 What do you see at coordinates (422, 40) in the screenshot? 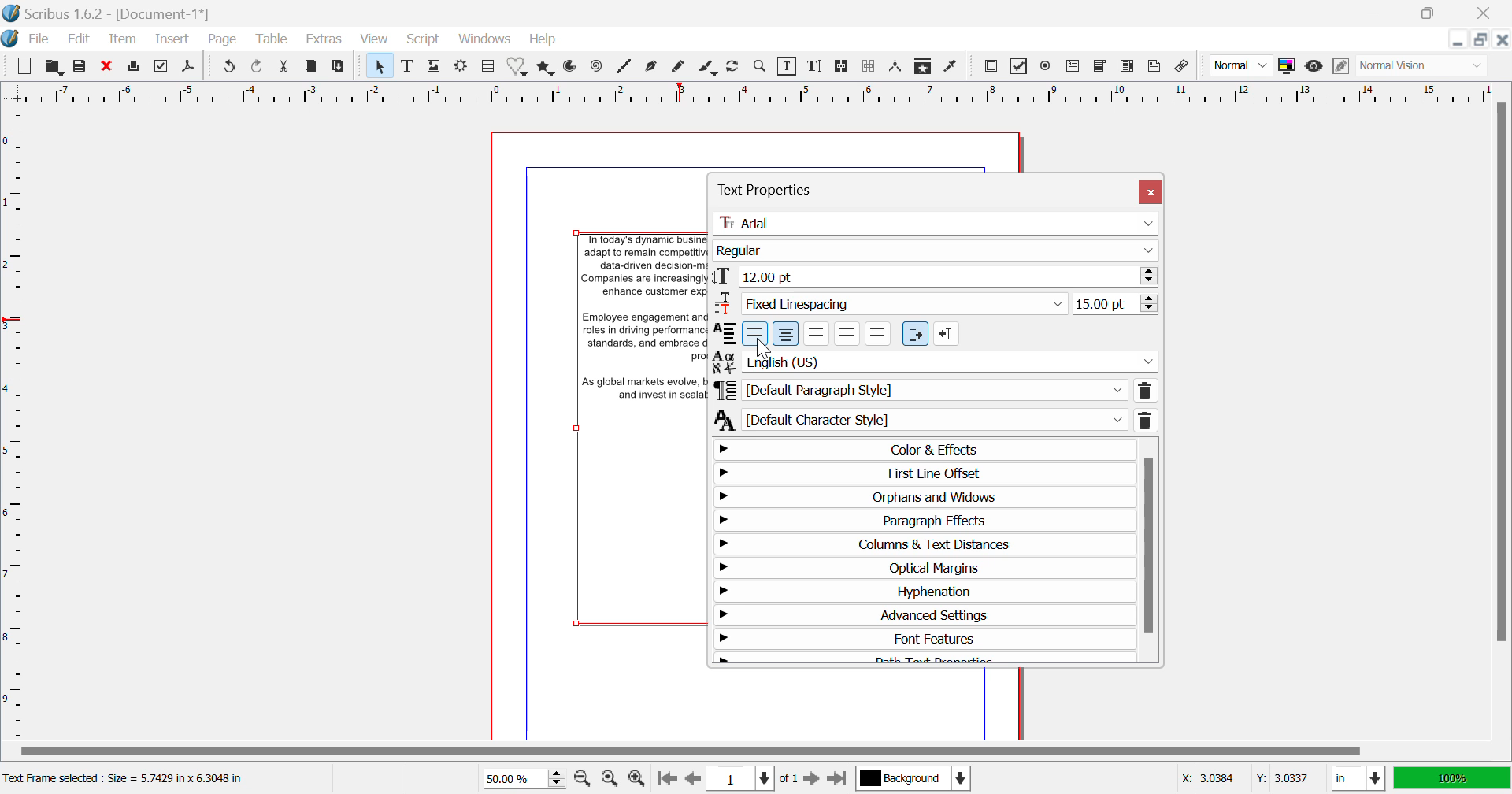
I see `Script` at bounding box center [422, 40].